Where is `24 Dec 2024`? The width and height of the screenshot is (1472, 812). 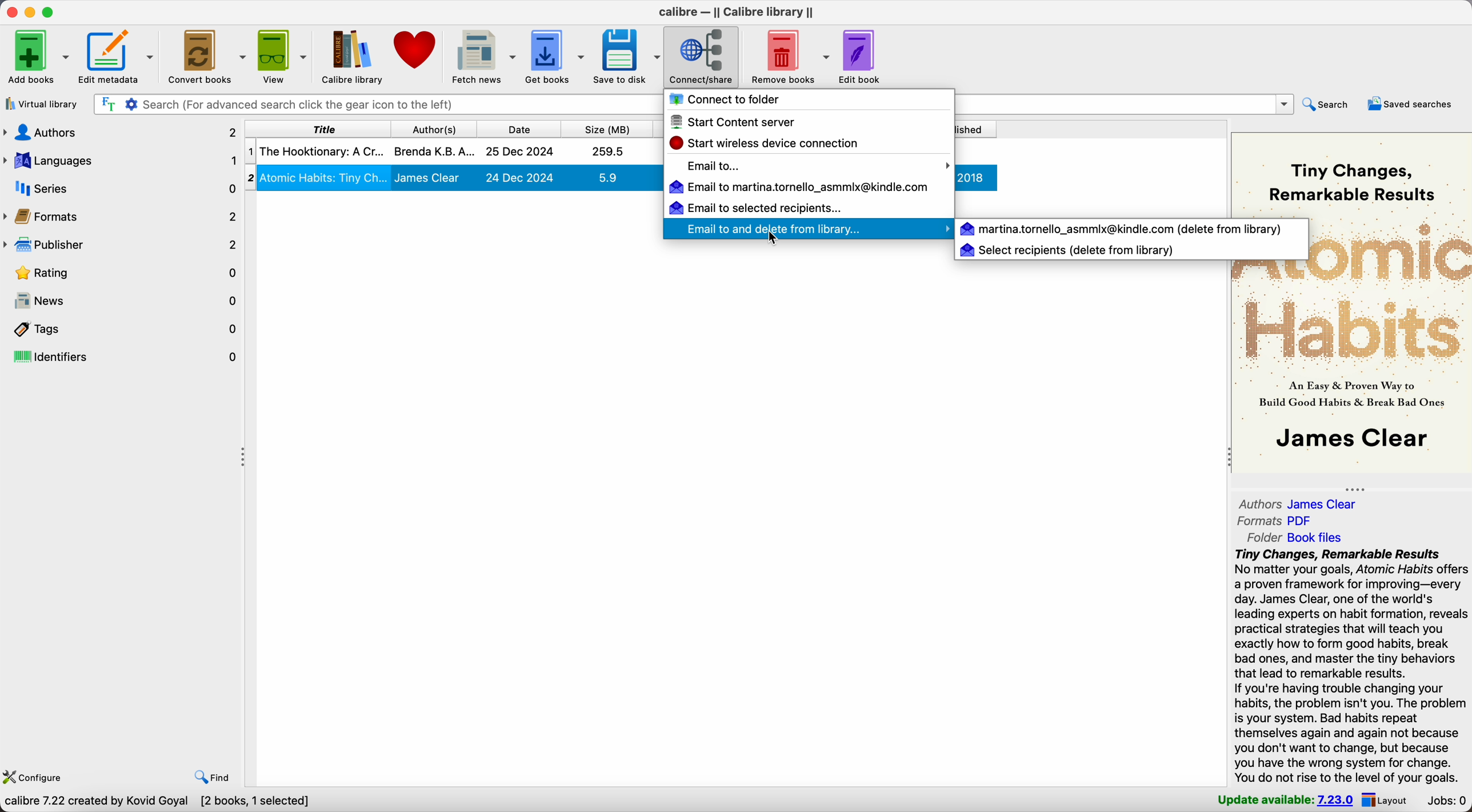
24 Dec 2024 is located at coordinates (520, 177).